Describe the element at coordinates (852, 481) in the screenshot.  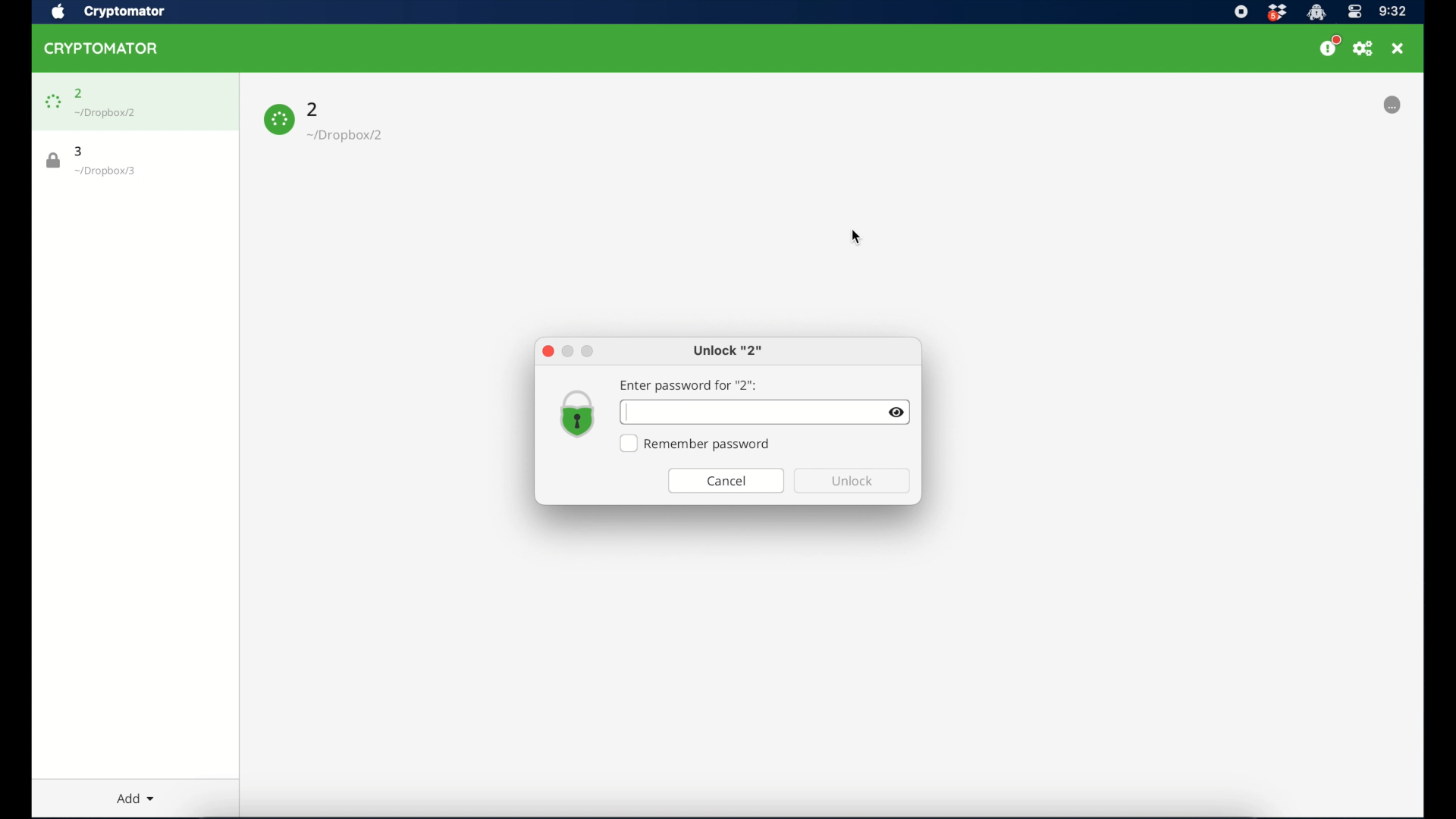
I see `unlock` at that location.